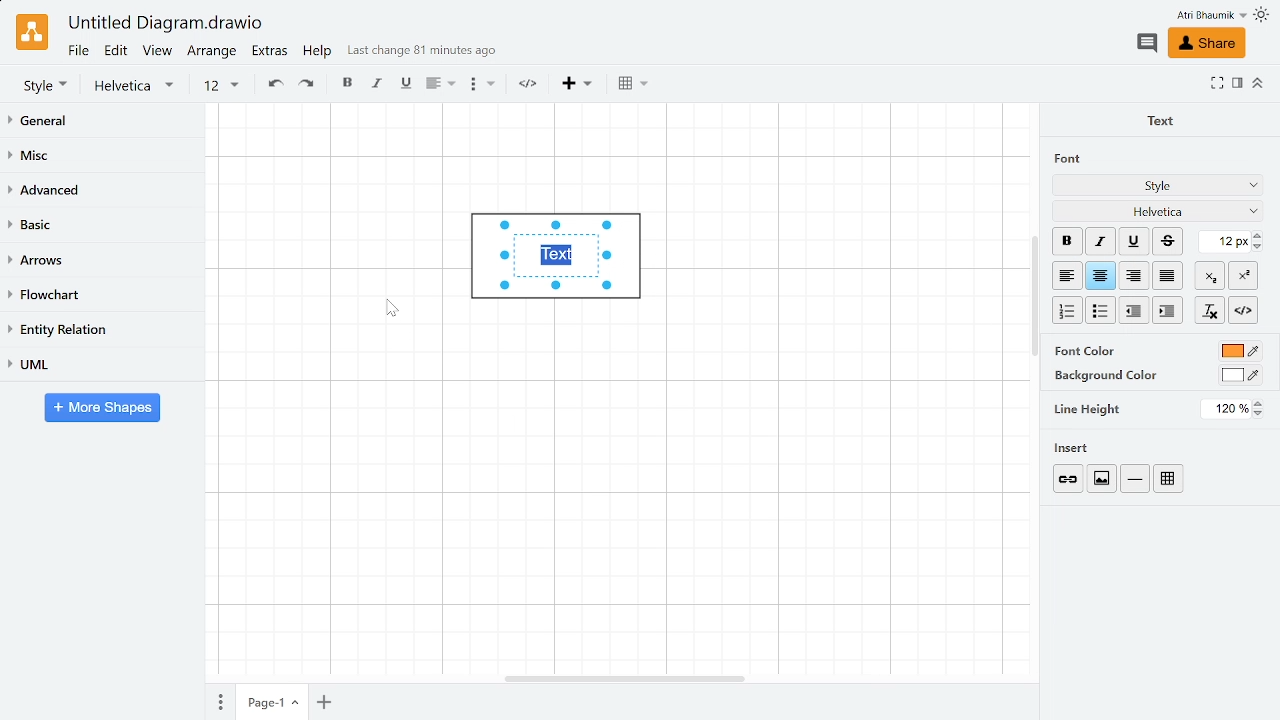 Image resolution: width=1280 pixels, height=720 pixels. What do you see at coordinates (103, 158) in the screenshot?
I see `Misc` at bounding box center [103, 158].